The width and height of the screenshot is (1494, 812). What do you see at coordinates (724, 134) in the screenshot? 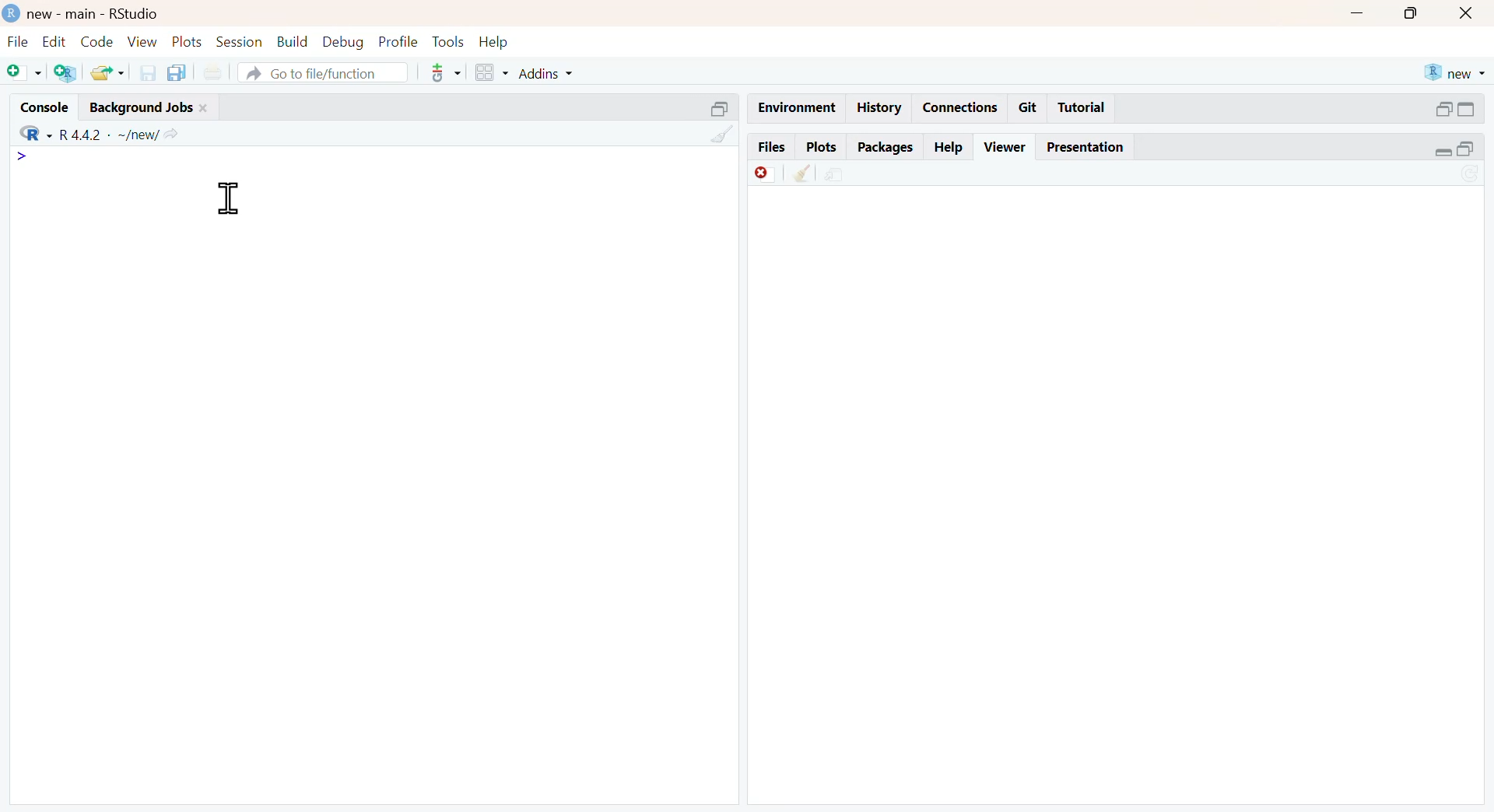
I see `clean` at bounding box center [724, 134].